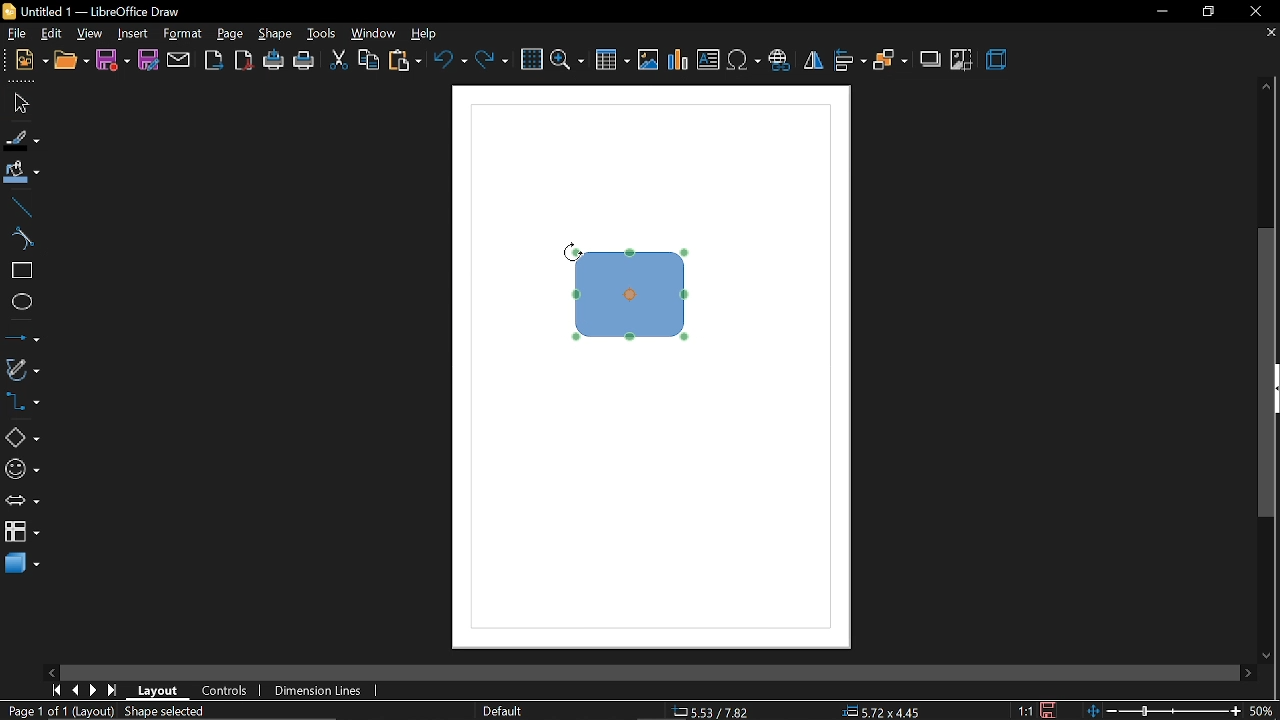  What do you see at coordinates (1269, 654) in the screenshot?
I see `move down` at bounding box center [1269, 654].